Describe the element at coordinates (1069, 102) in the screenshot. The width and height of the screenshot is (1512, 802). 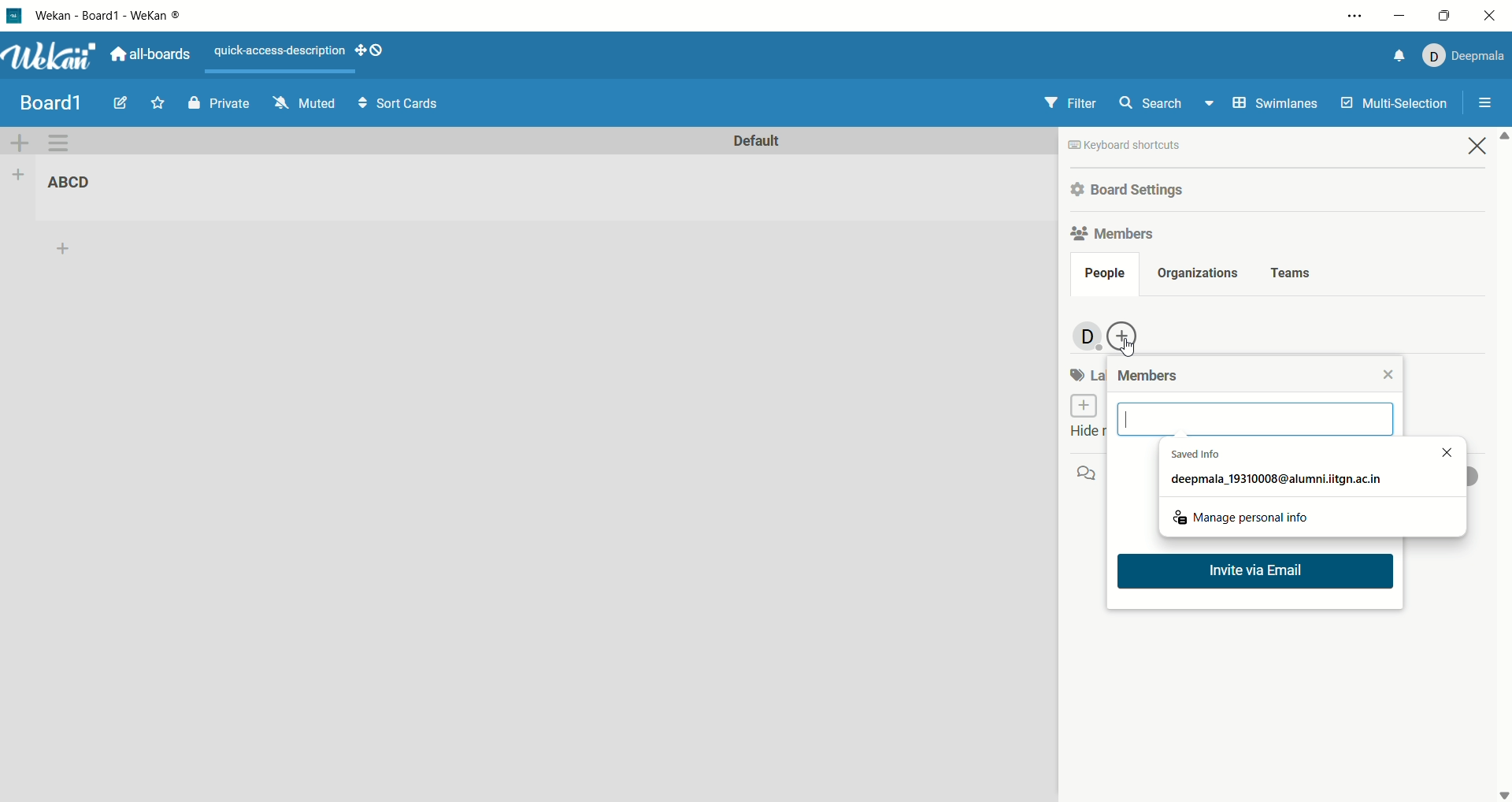
I see `filter` at that location.